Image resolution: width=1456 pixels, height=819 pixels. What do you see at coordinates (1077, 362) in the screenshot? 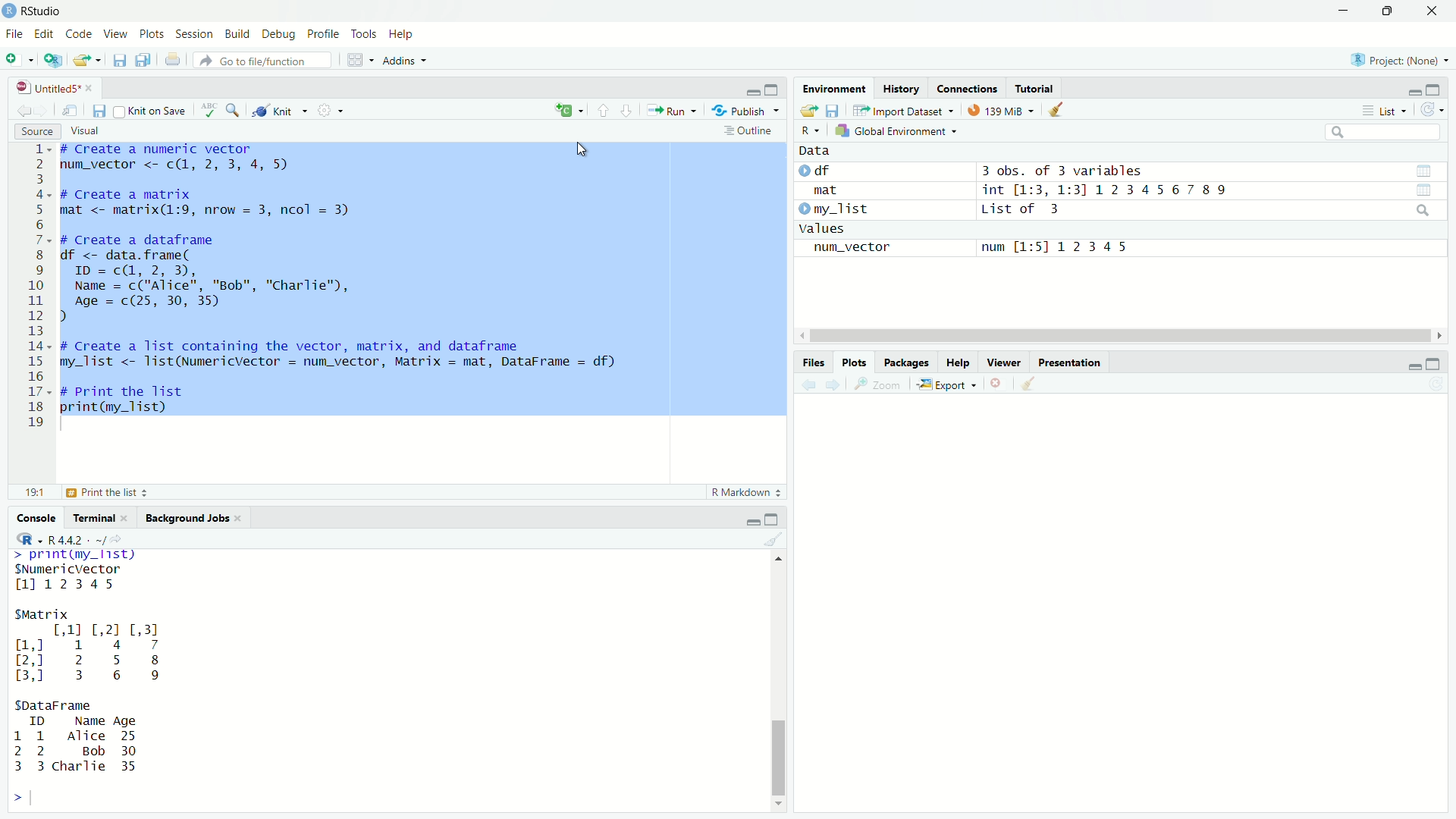
I see `Presentation` at bounding box center [1077, 362].